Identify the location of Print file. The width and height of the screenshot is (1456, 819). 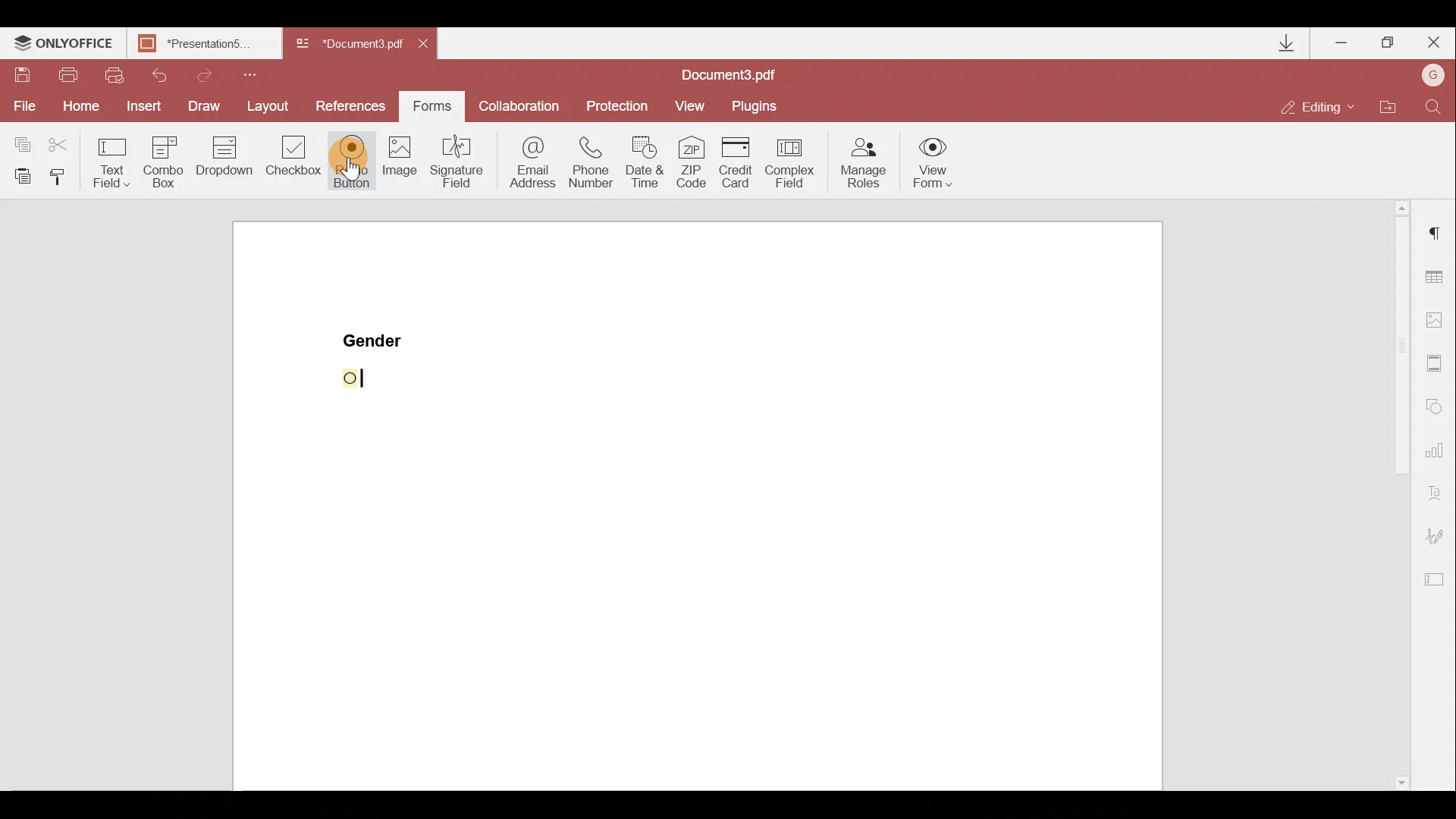
(70, 74).